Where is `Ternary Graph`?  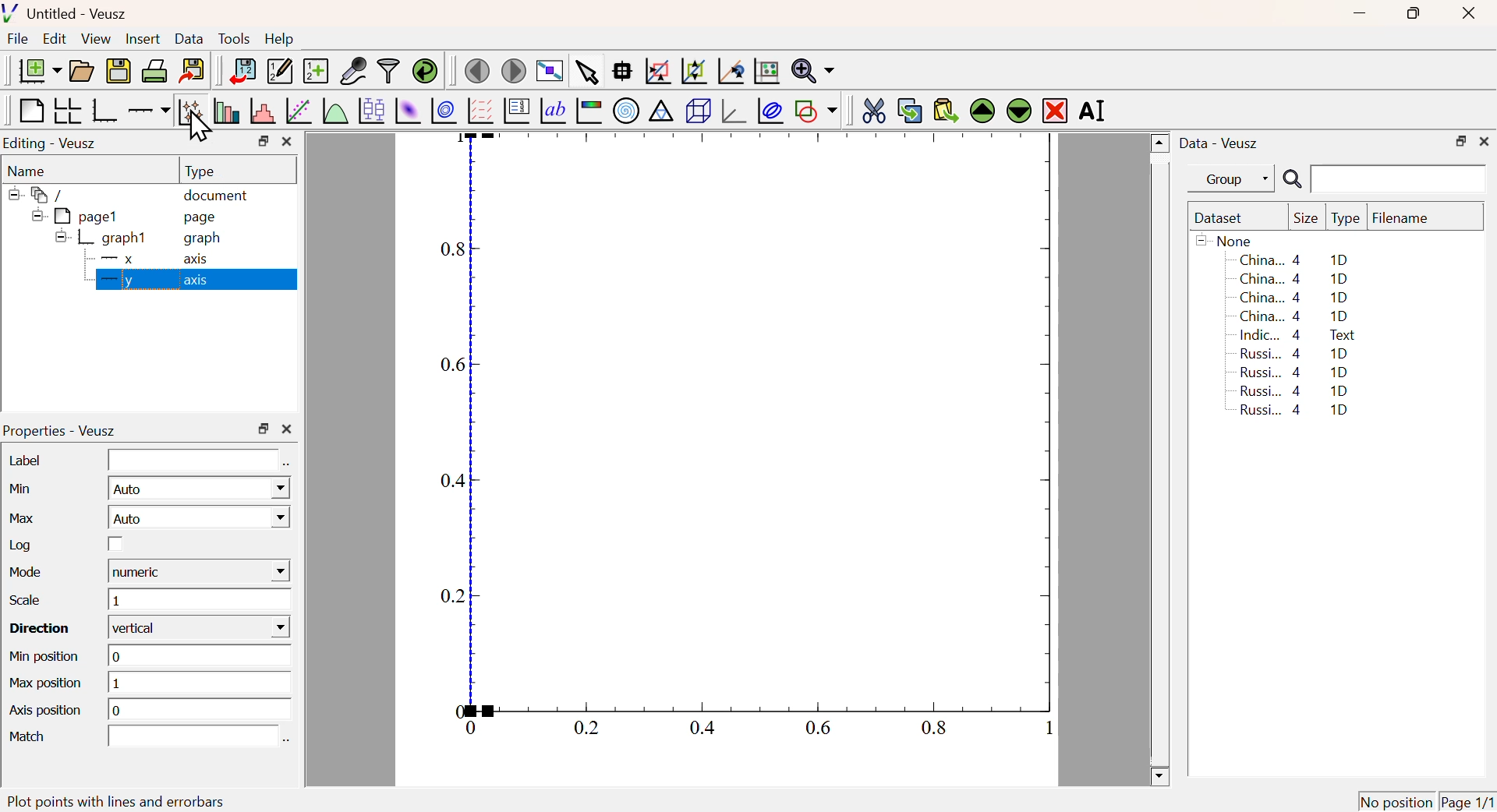
Ternary Graph is located at coordinates (660, 110).